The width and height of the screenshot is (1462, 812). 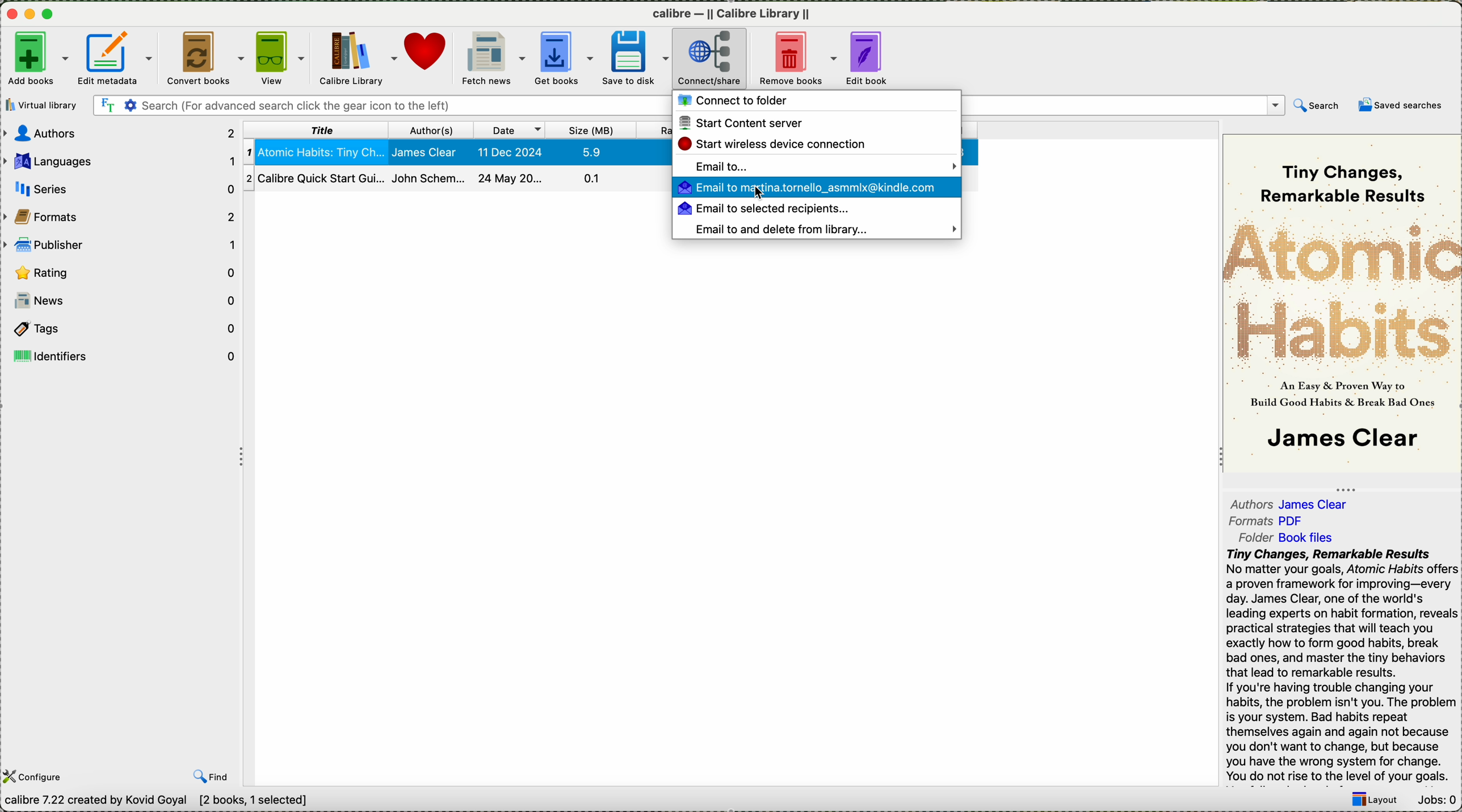 What do you see at coordinates (50, 14) in the screenshot?
I see `maximize` at bounding box center [50, 14].